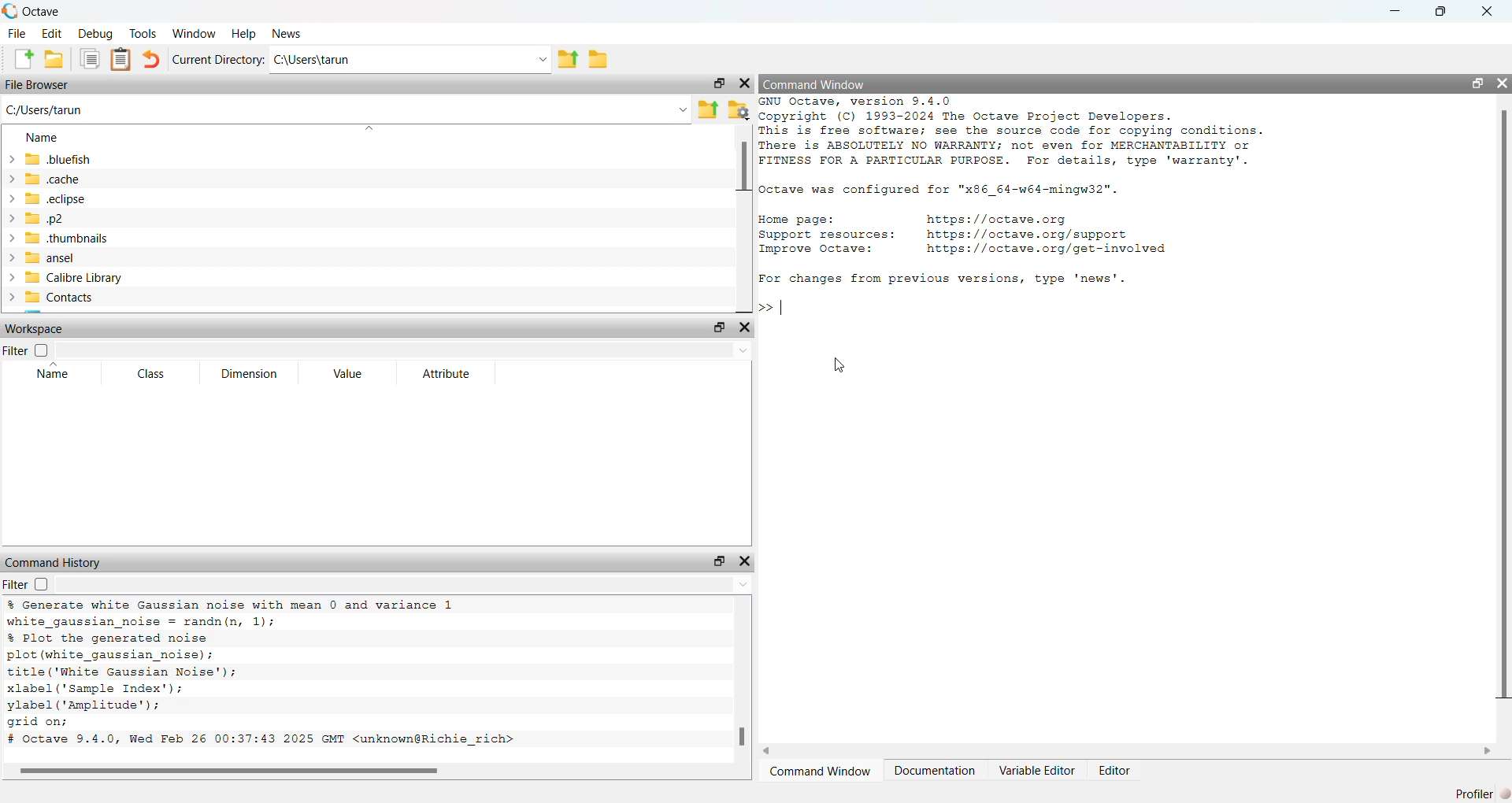 The width and height of the screenshot is (1512, 803). What do you see at coordinates (747, 561) in the screenshot?
I see `close` at bounding box center [747, 561].